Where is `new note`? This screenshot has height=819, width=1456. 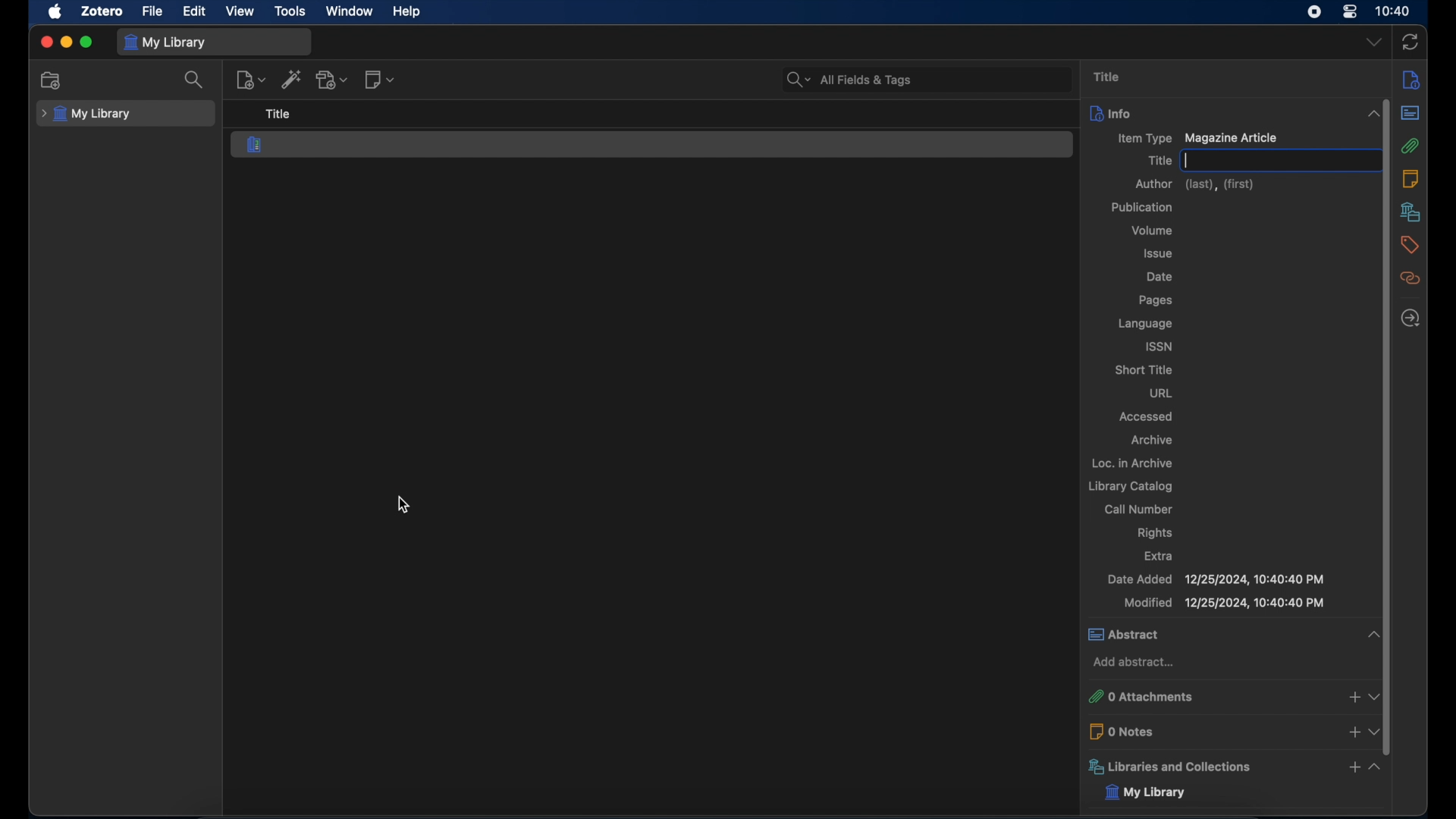
new note is located at coordinates (381, 79).